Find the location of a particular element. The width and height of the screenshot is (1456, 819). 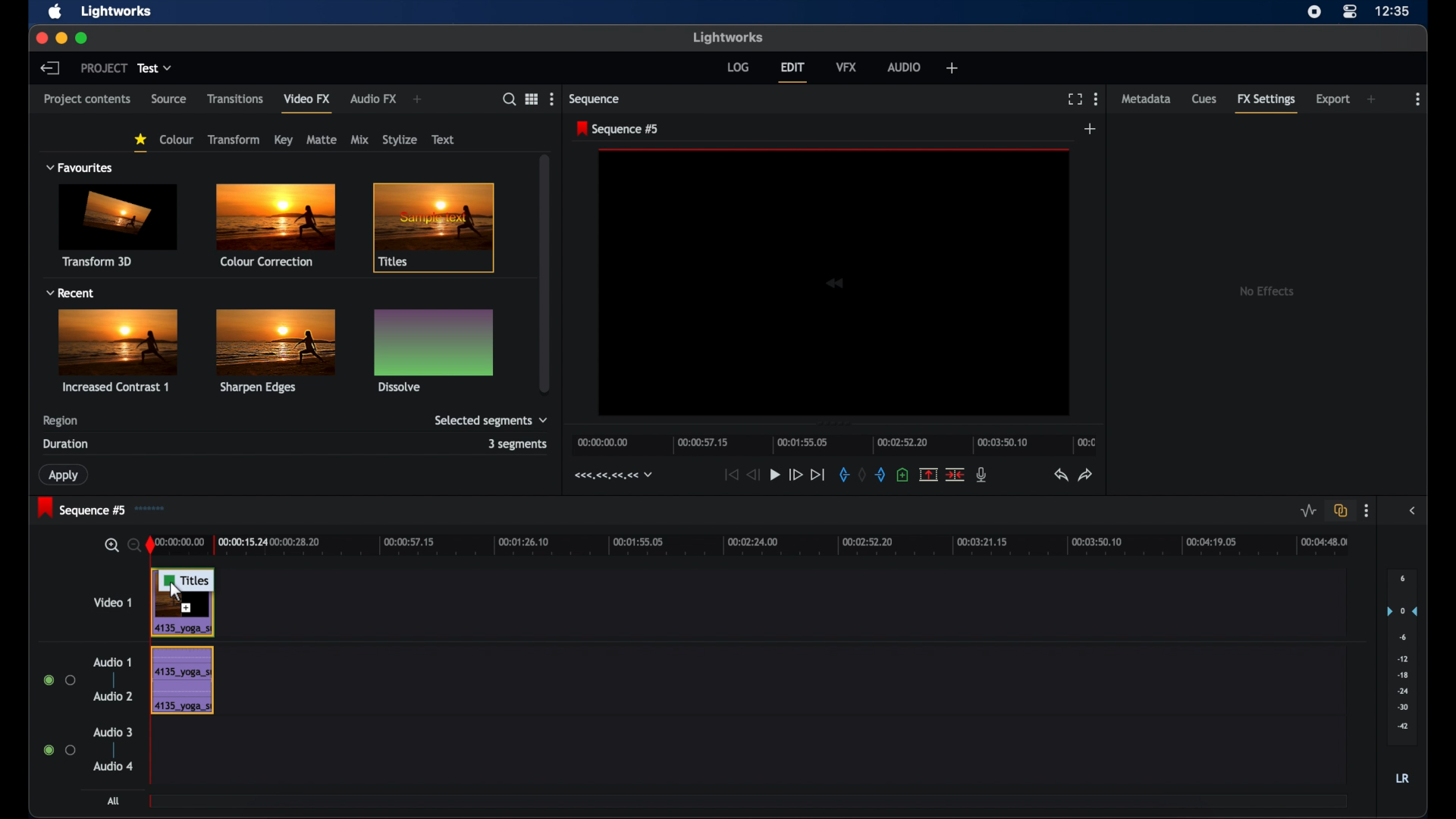

fx settings is located at coordinates (1266, 105).